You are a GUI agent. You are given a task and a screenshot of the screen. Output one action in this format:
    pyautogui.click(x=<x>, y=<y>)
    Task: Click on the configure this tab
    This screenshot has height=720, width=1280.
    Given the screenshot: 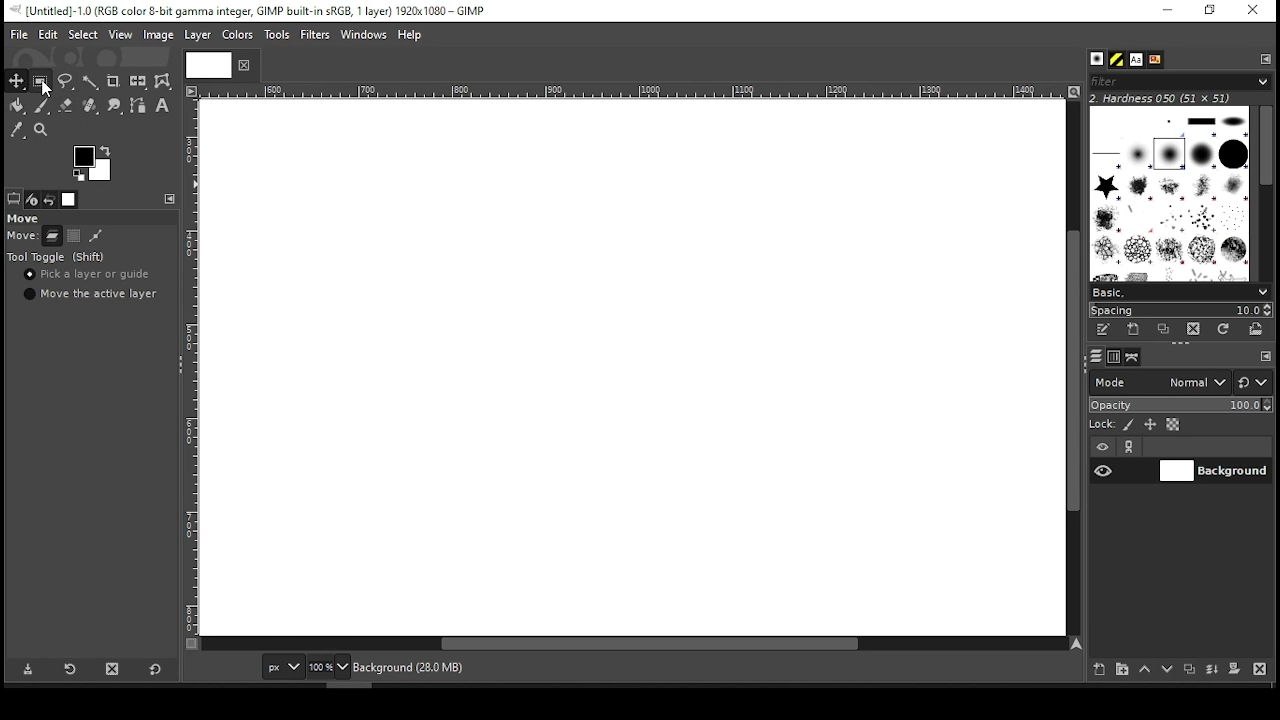 What is the action you would take?
    pyautogui.click(x=172, y=199)
    